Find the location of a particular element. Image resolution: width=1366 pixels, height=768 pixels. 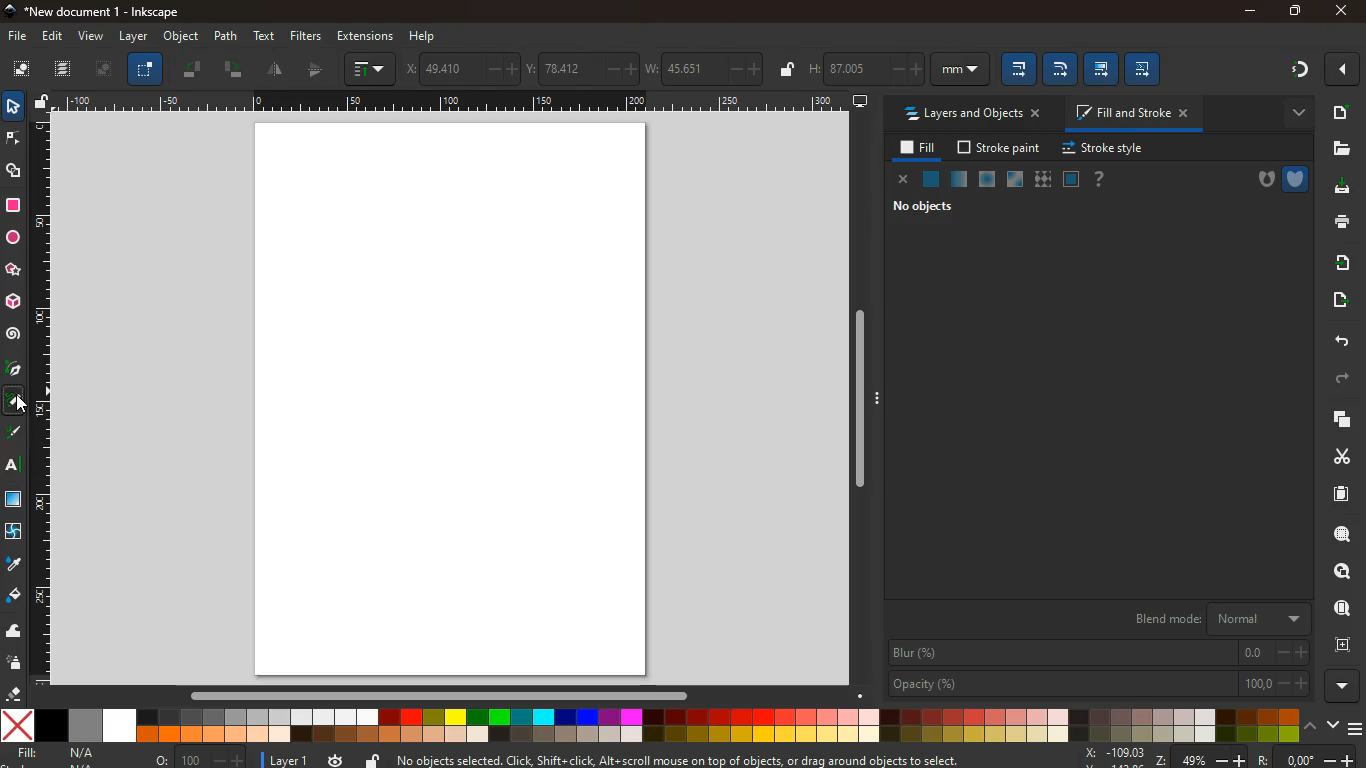

layer is located at coordinates (290, 761).